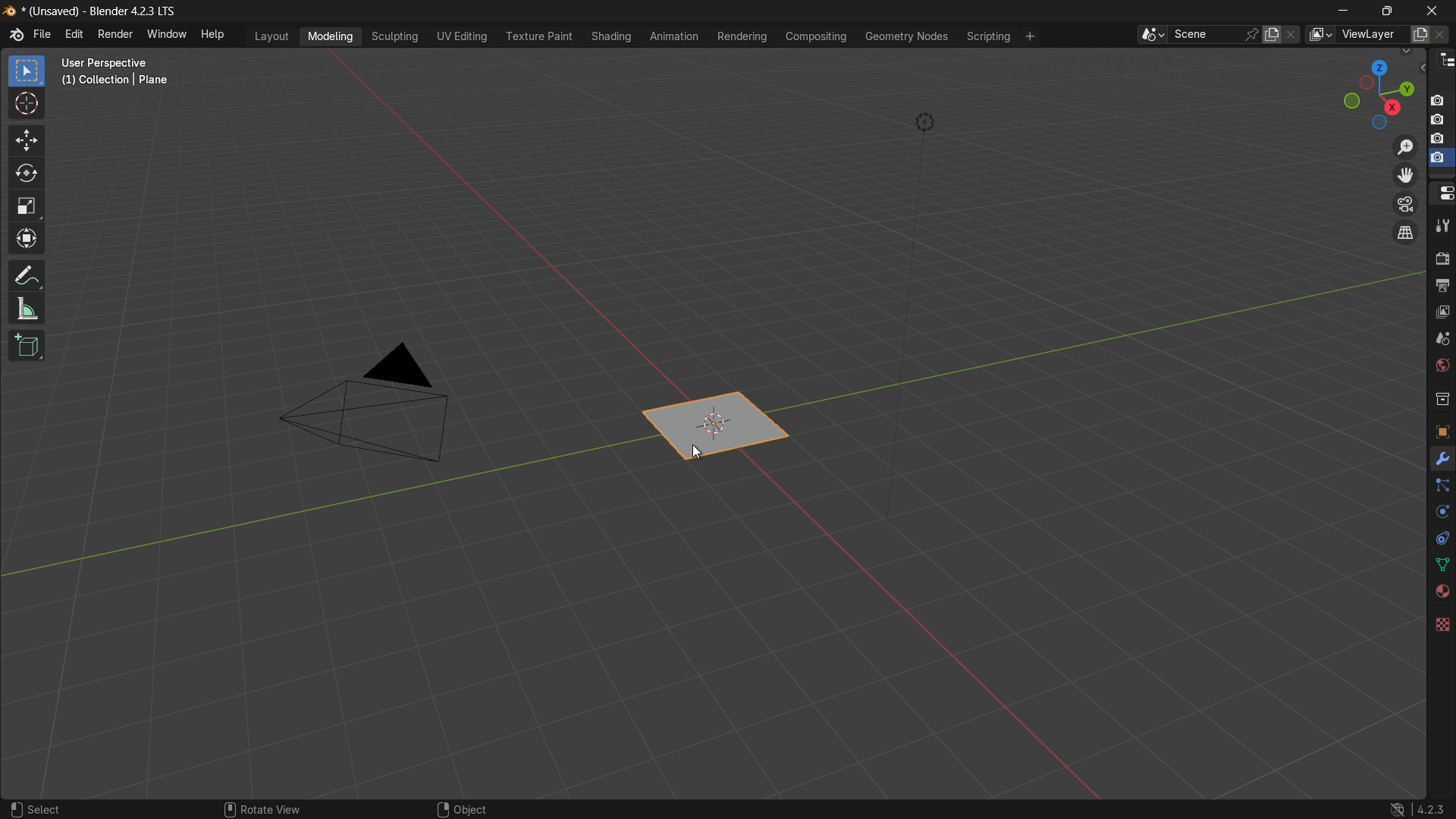 Image resolution: width=1456 pixels, height=819 pixels. I want to click on , so click(1442, 365).